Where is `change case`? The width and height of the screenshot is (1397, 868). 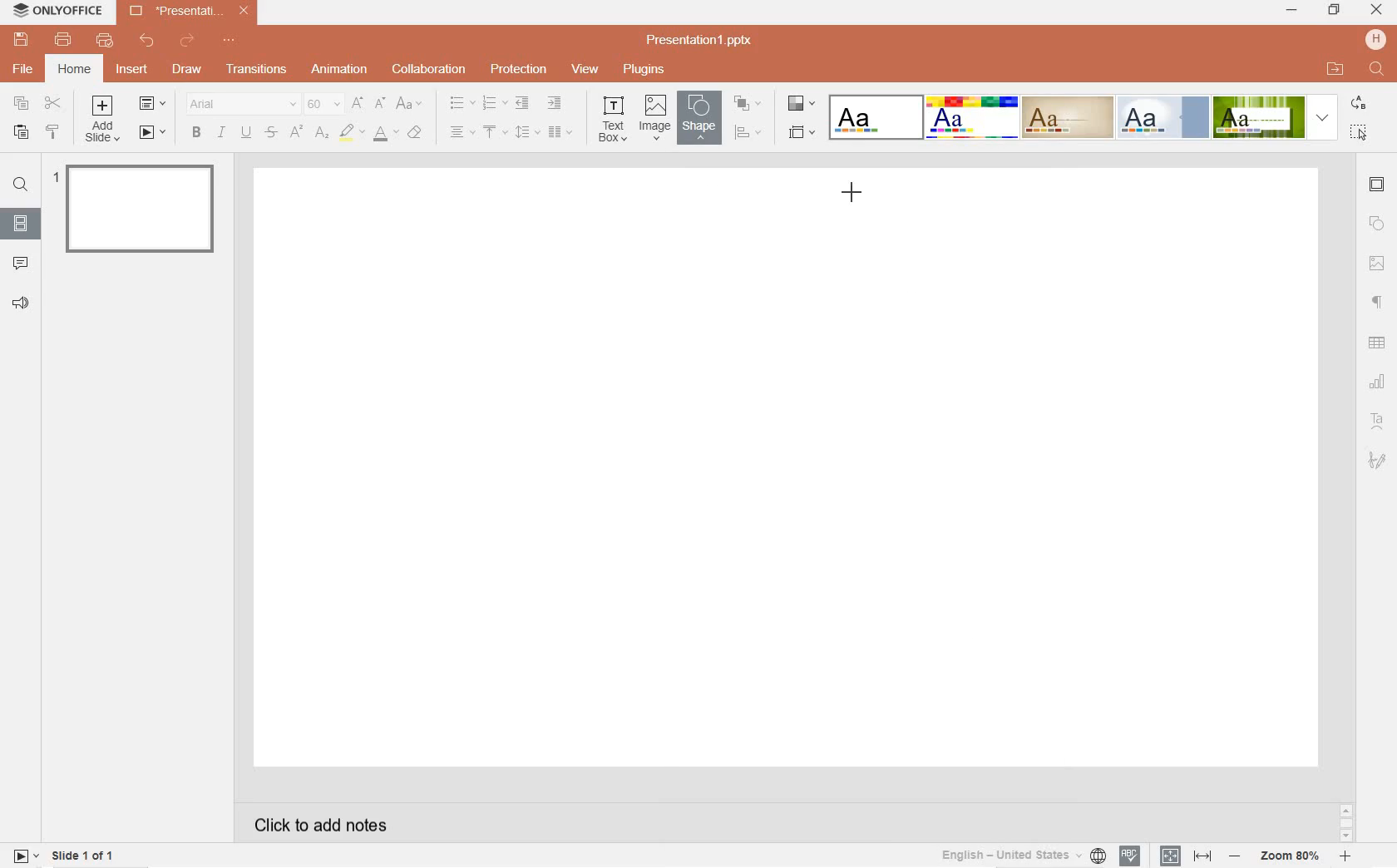
change case is located at coordinates (410, 104).